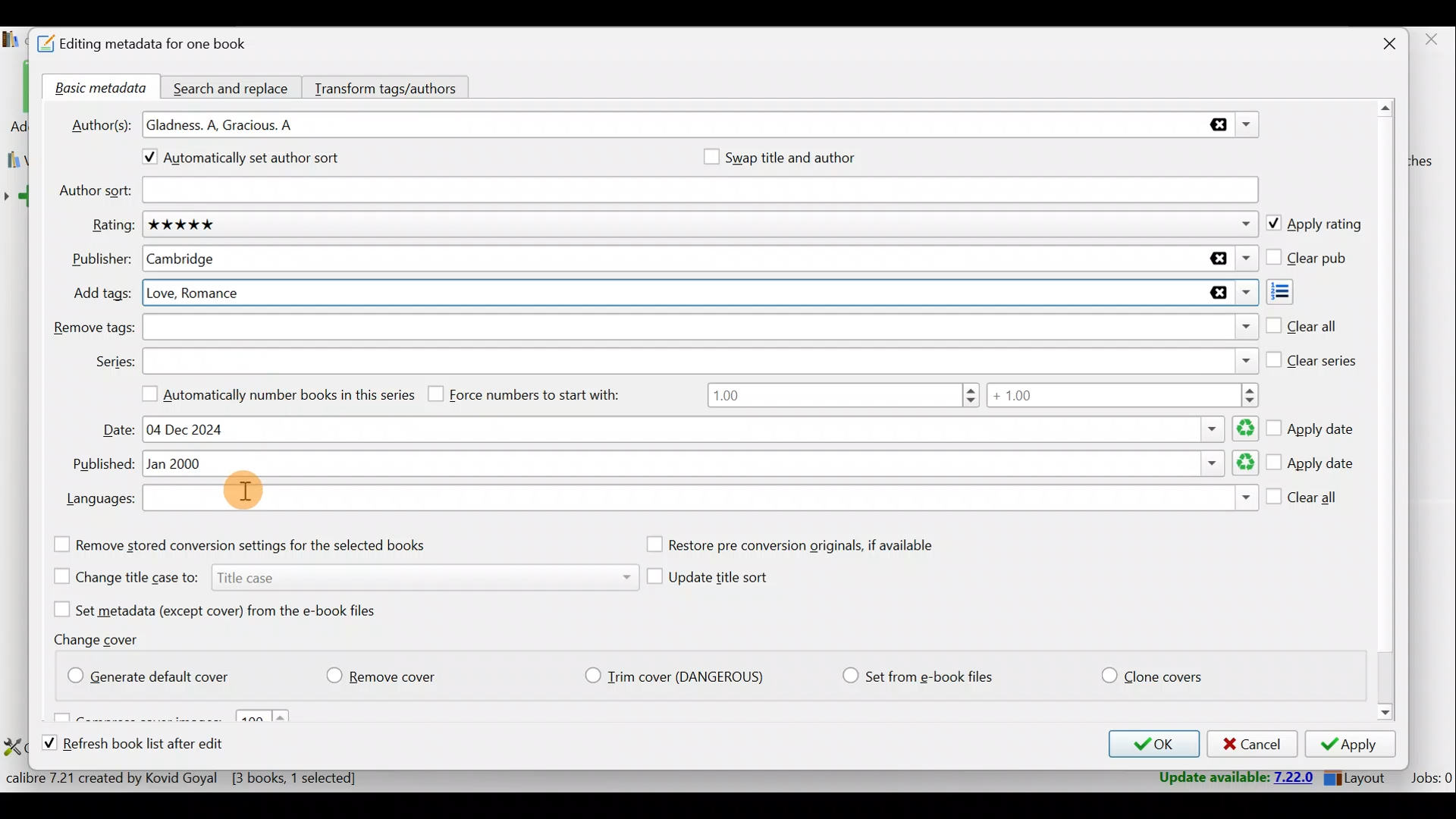  Describe the element at coordinates (246, 495) in the screenshot. I see `Cursor` at that location.